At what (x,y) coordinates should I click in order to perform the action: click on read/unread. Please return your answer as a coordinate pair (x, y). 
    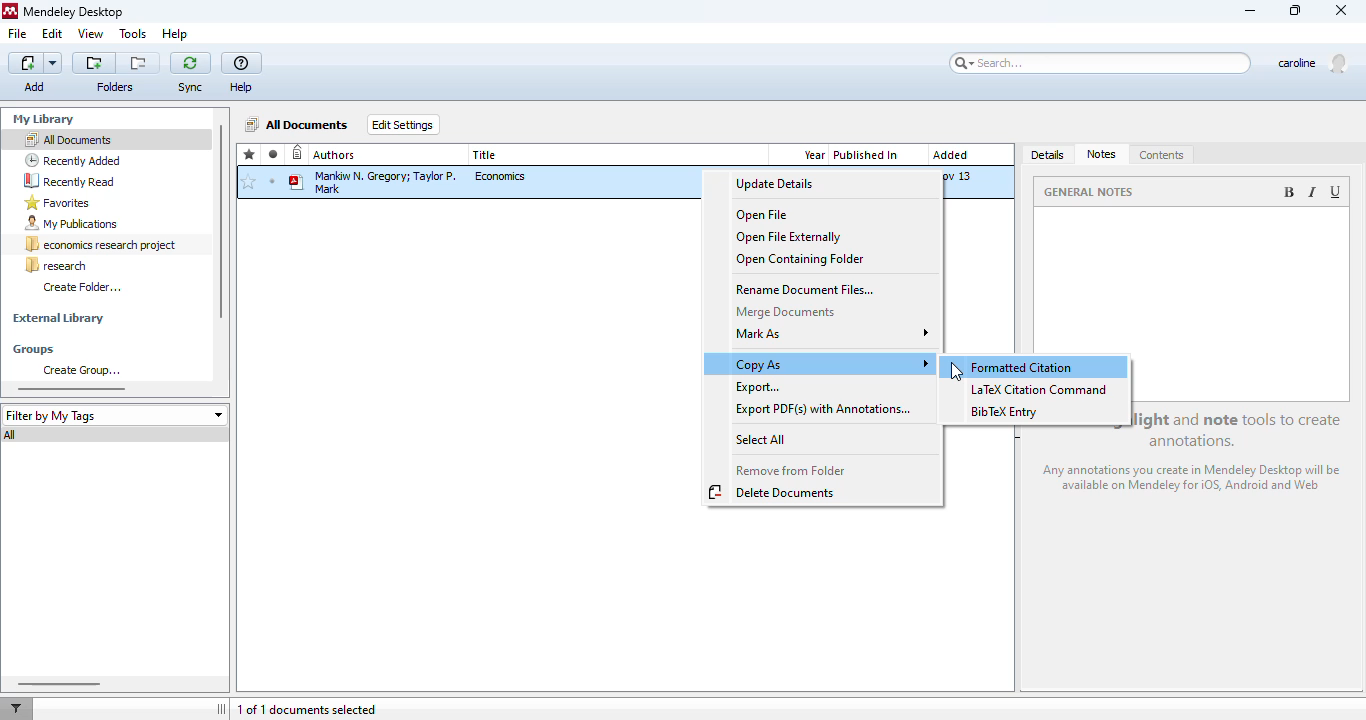
    Looking at the image, I should click on (274, 154).